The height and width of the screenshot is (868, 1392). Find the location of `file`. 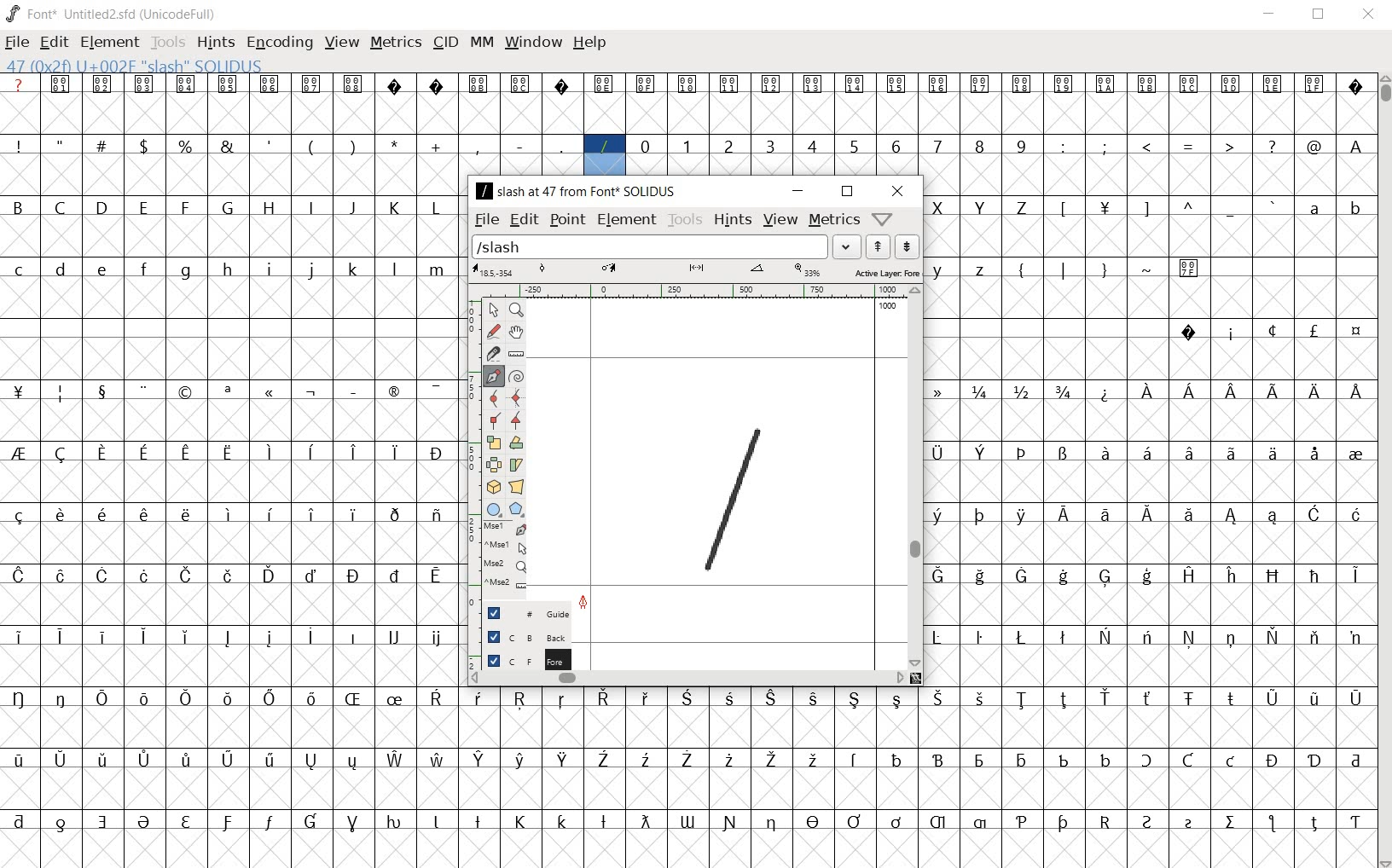

file is located at coordinates (486, 219).